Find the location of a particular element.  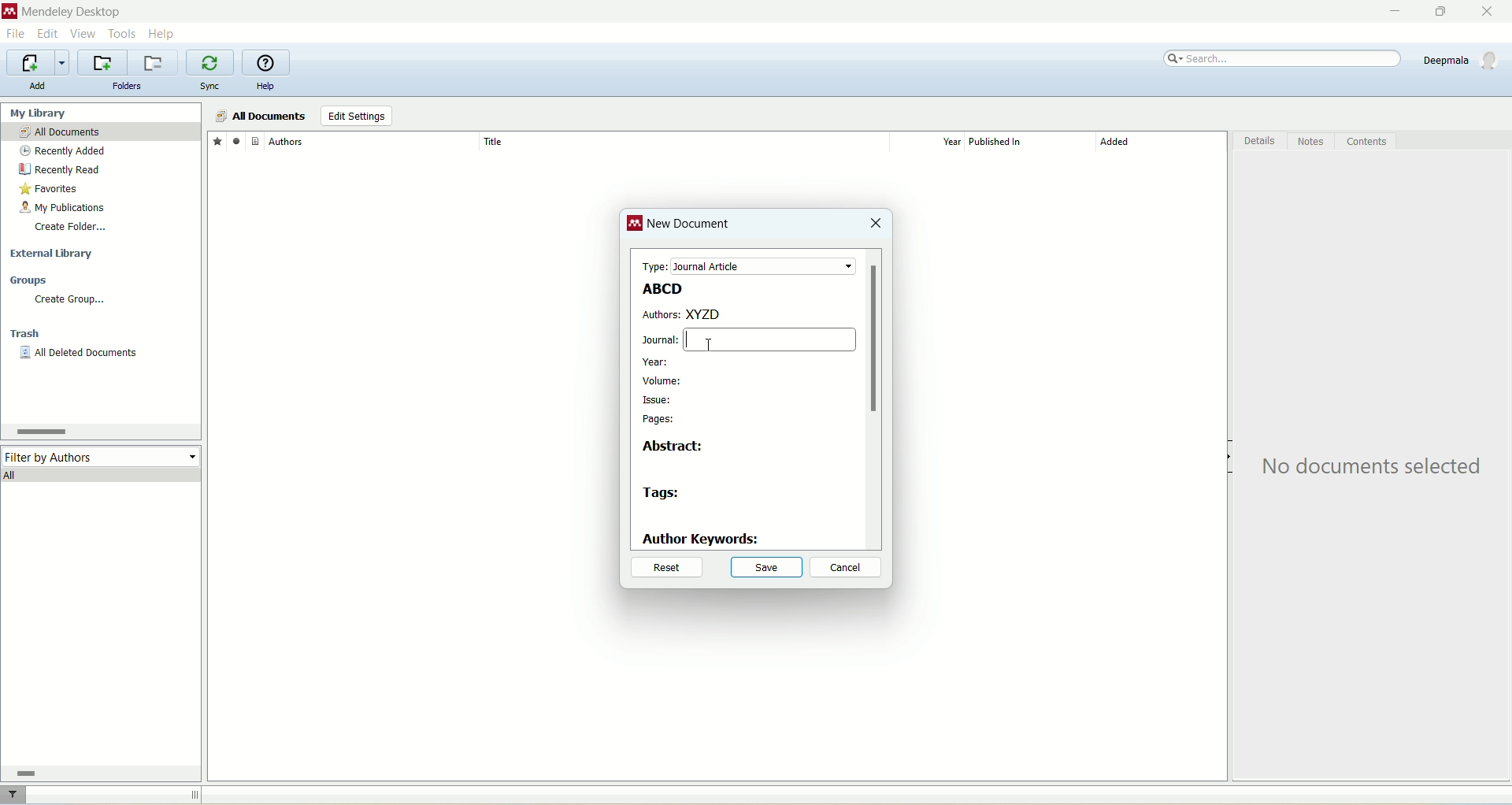

type is located at coordinates (654, 263).